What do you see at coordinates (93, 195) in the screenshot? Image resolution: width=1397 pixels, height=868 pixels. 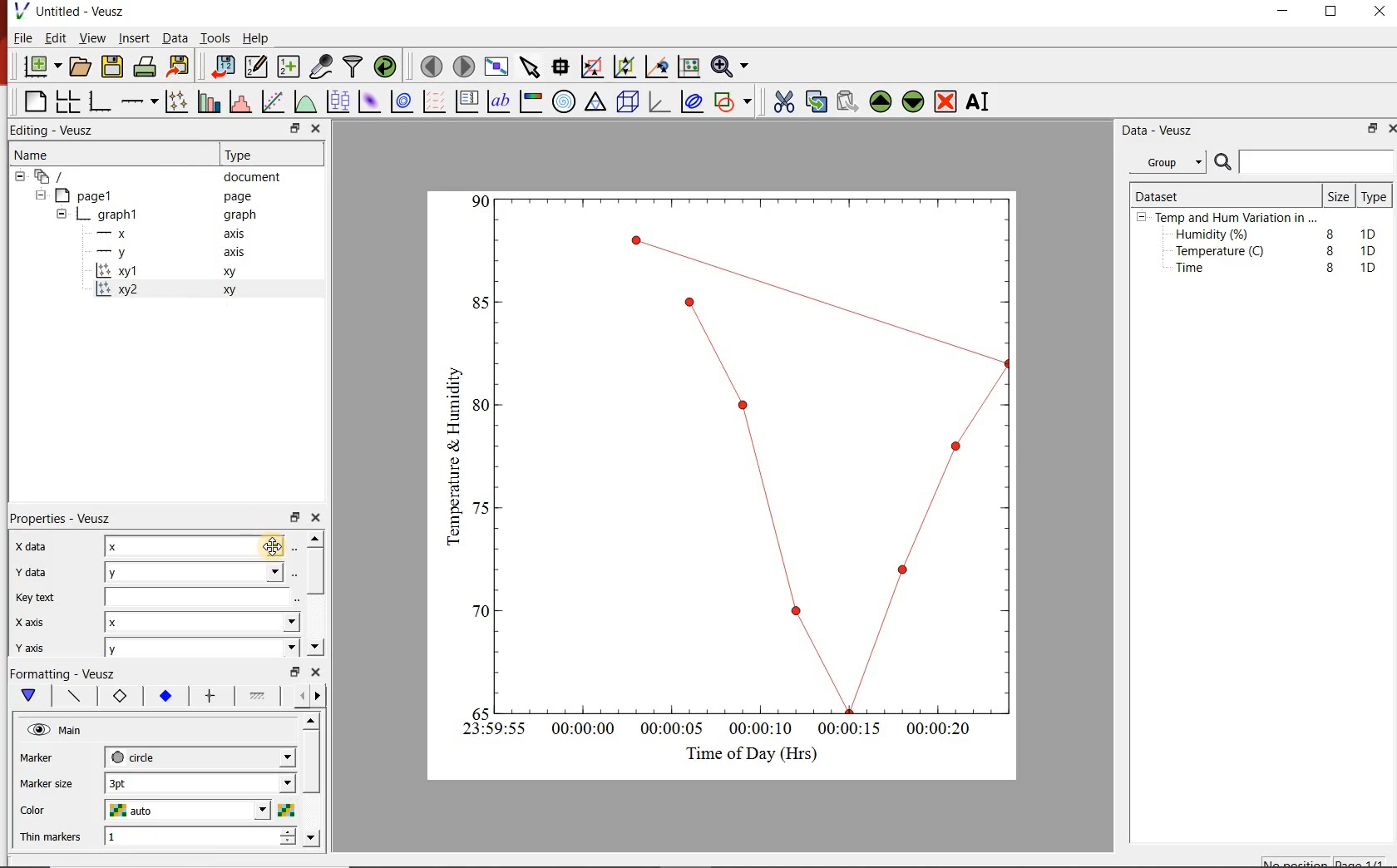 I see `page1` at bounding box center [93, 195].